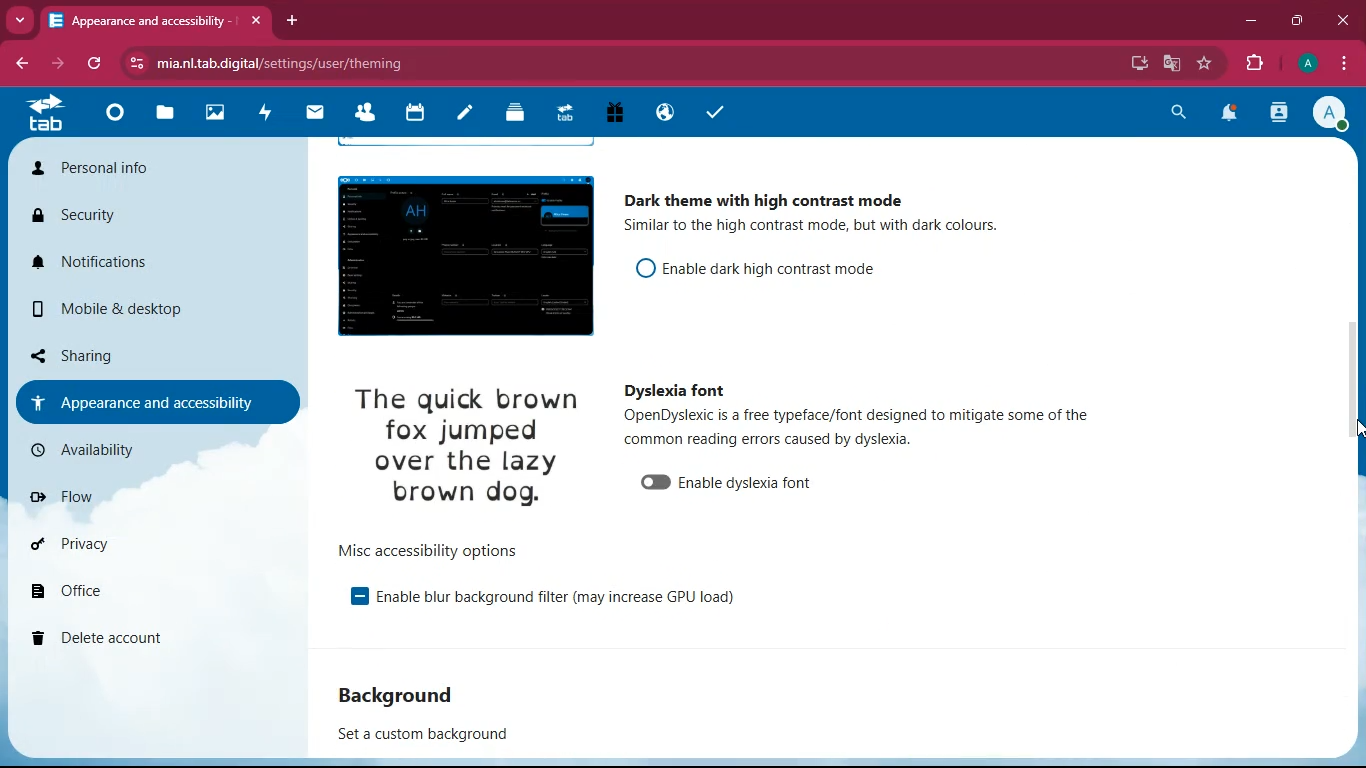 This screenshot has height=768, width=1366. I want to click on gift, so click(609, 112).